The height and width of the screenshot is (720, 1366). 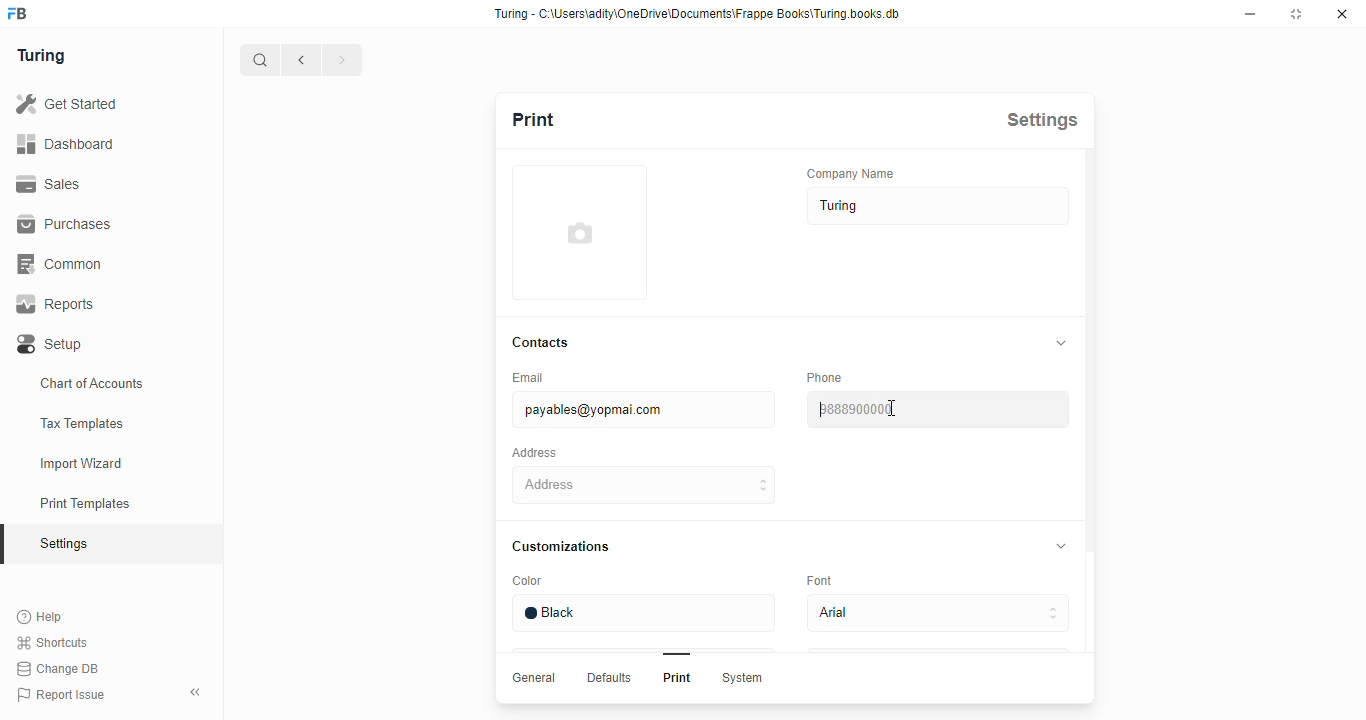 I want to click on Address, so click(x=638, y=486).